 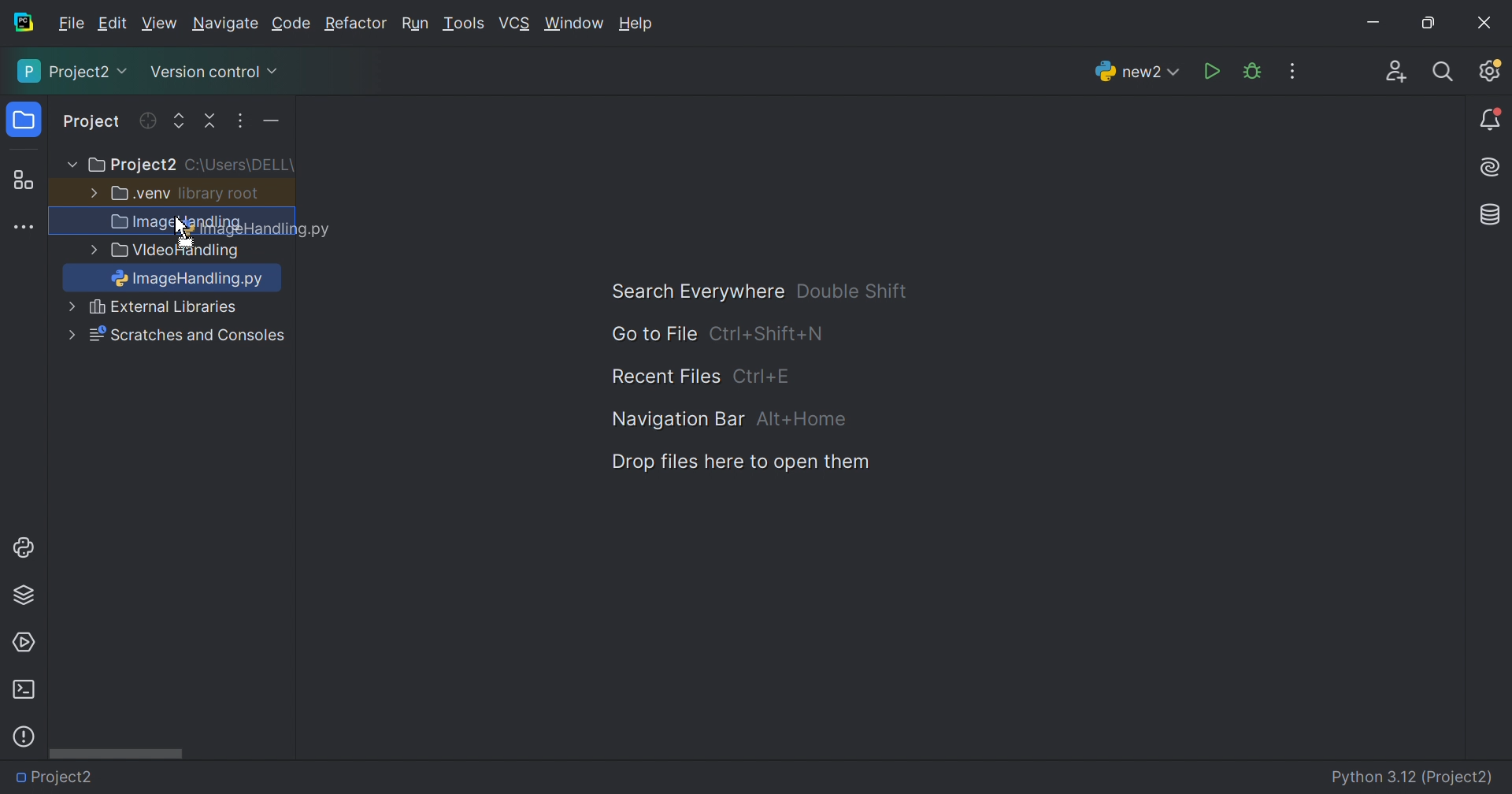 I want to click on More tool windows, so click(x=26, y=228).